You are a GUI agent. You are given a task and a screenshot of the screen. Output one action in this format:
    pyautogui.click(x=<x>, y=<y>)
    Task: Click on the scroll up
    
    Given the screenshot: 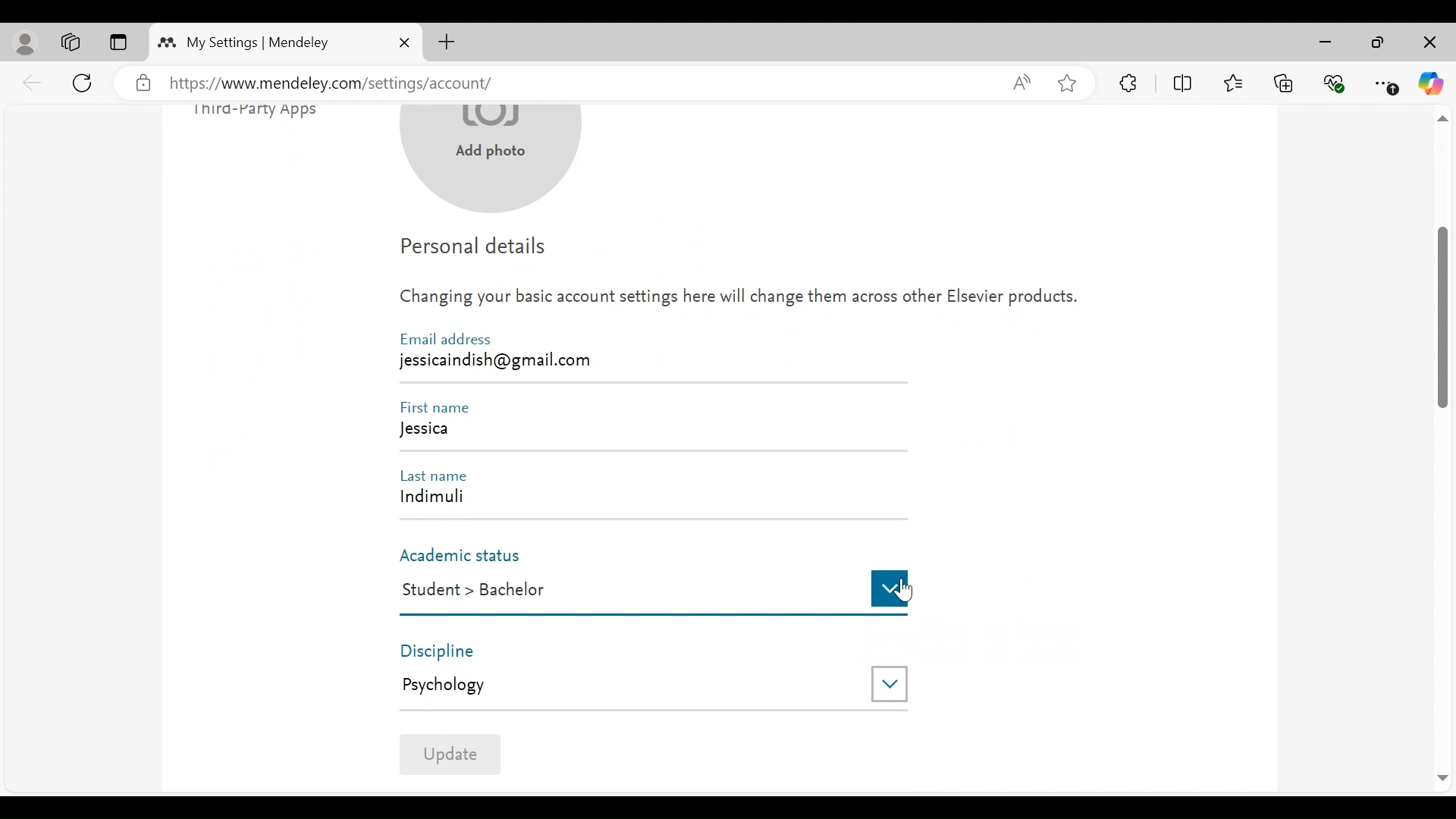 What is the action you would take?
    pyautogui.click(x=1442, y=120)
    